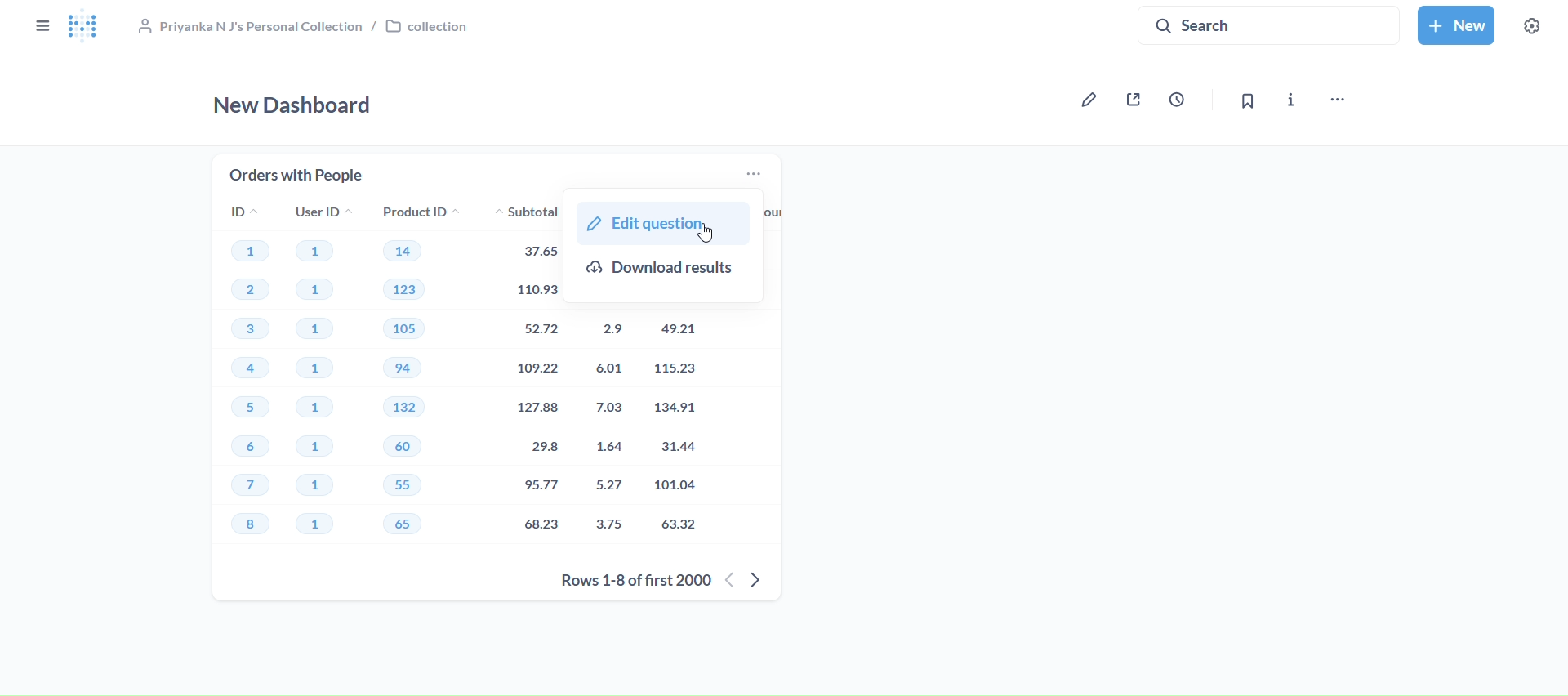 The width and height of the screenshot is (1568, 696). What do you see at coordinates (301, 25) in the screenshot?
I see `collection` at bounding box center [301, 25].